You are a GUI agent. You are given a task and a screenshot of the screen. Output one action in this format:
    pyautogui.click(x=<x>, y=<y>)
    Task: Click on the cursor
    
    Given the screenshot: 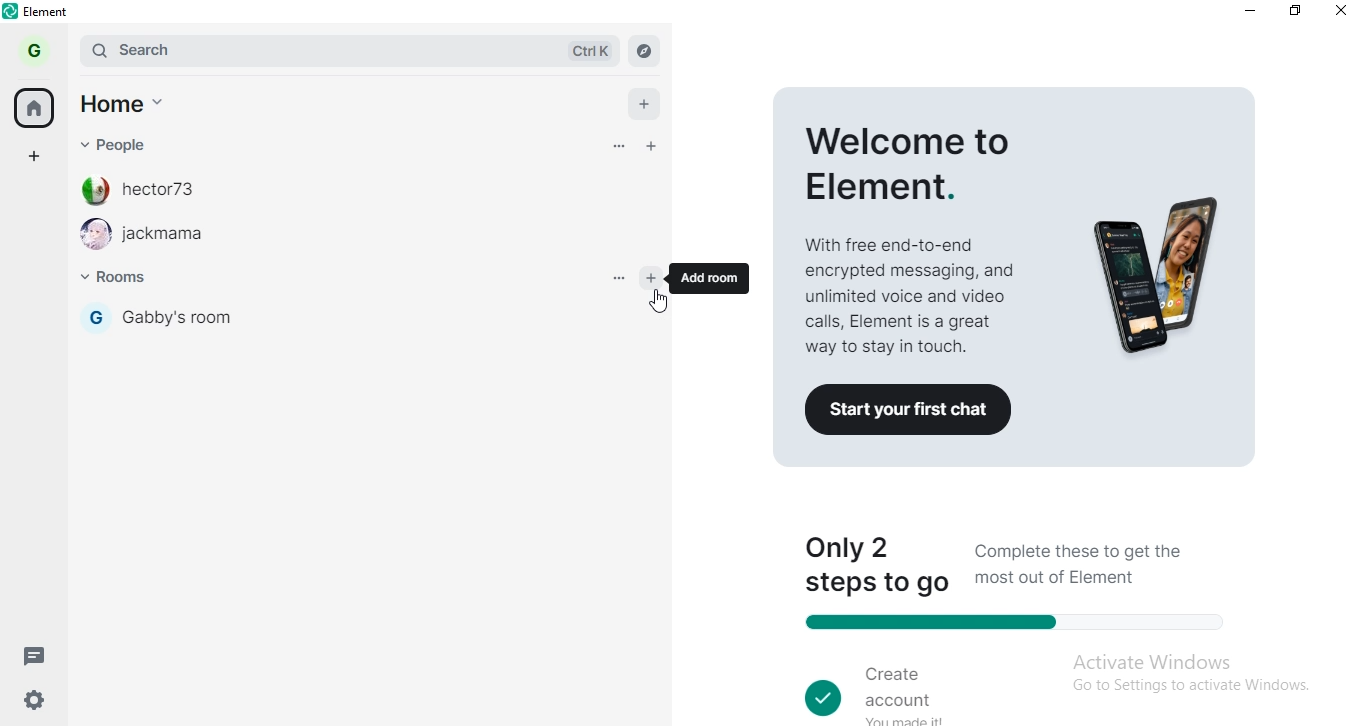 What is the action you would take?
    pyautogui.click(x=658, y=301)
    